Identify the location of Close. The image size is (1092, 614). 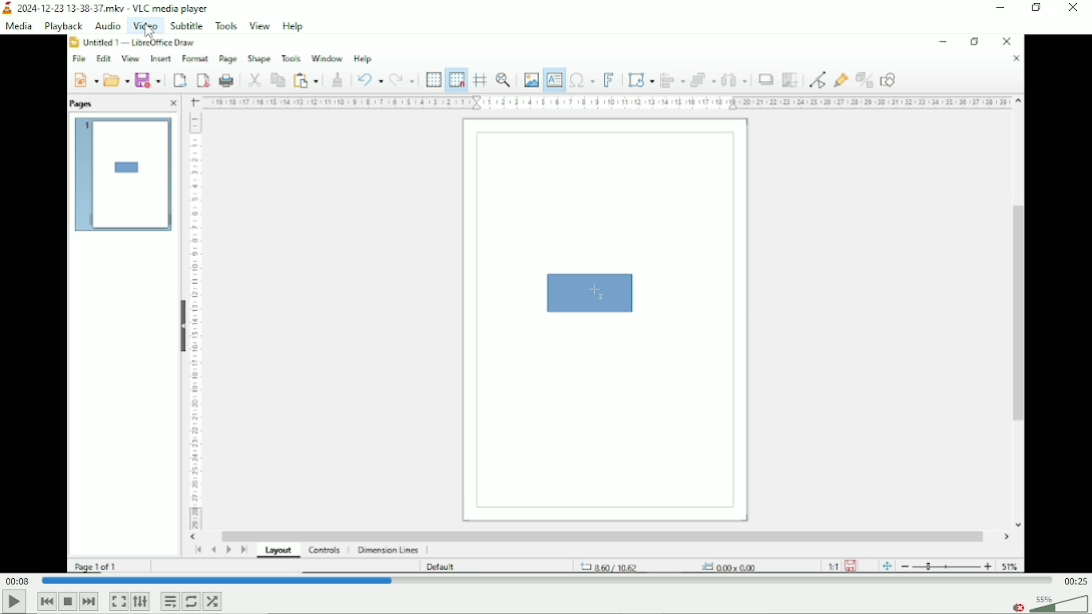
(1076, 10).